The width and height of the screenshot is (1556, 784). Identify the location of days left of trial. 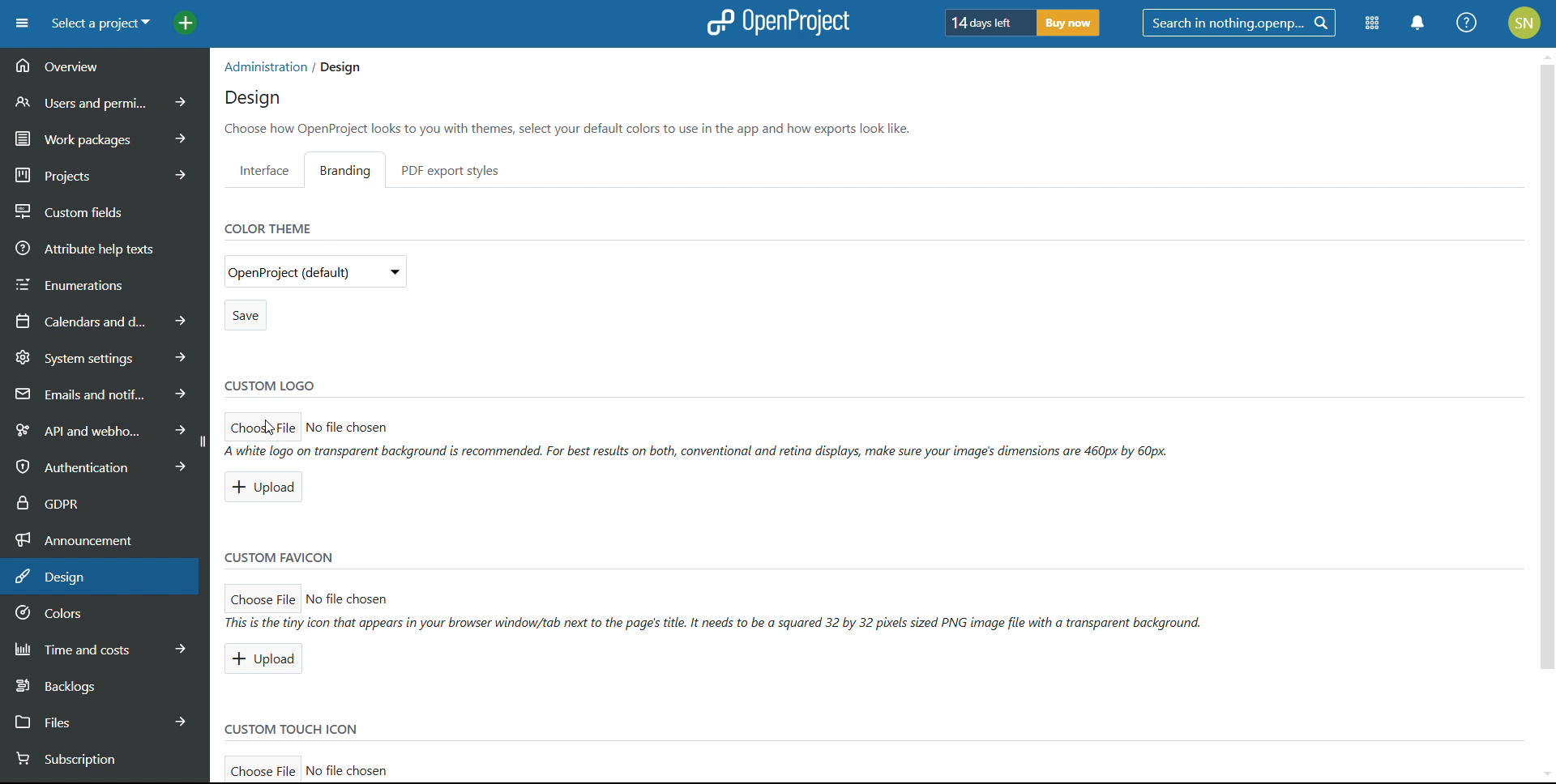
(986, 22).